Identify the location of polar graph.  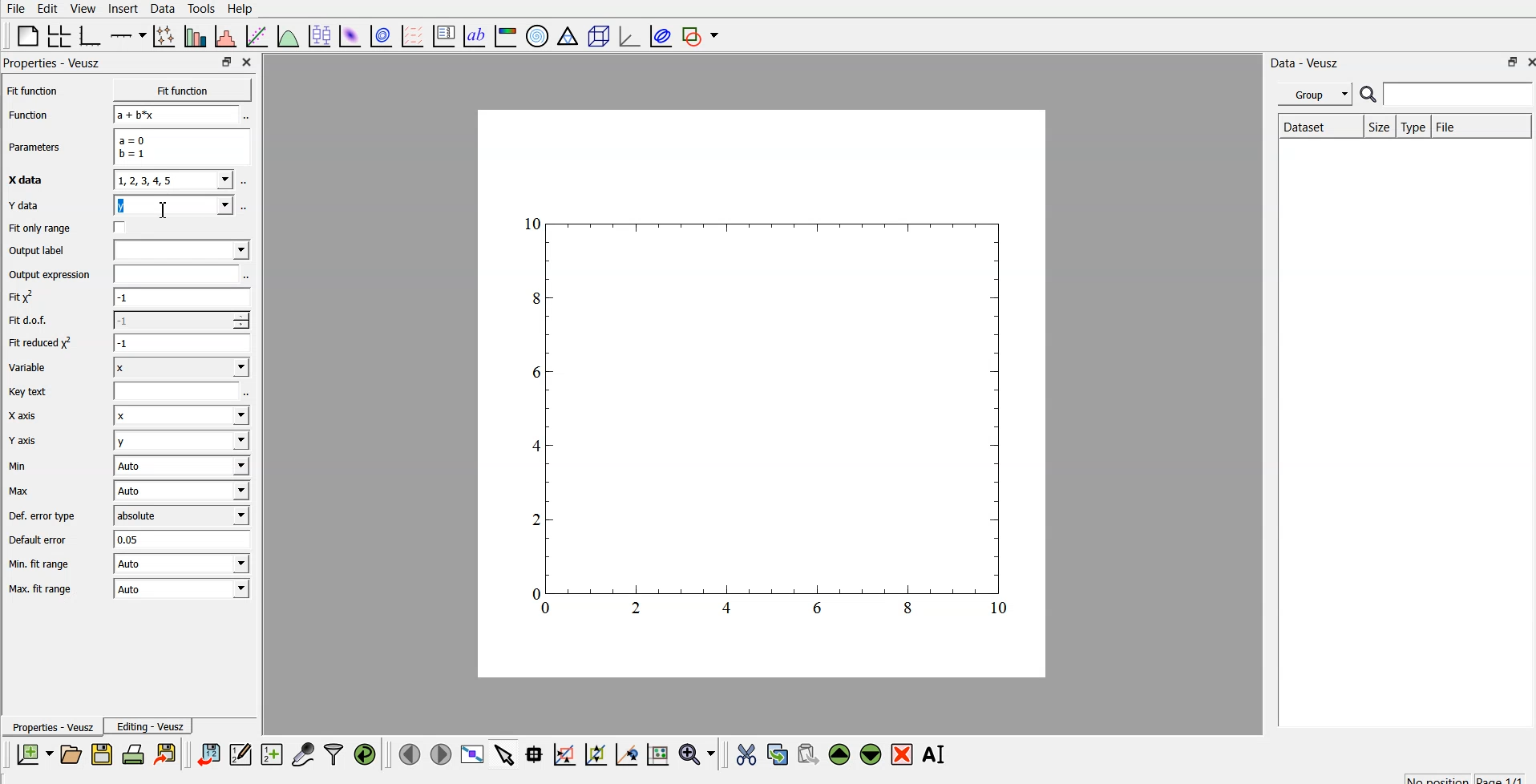
(539, 37).